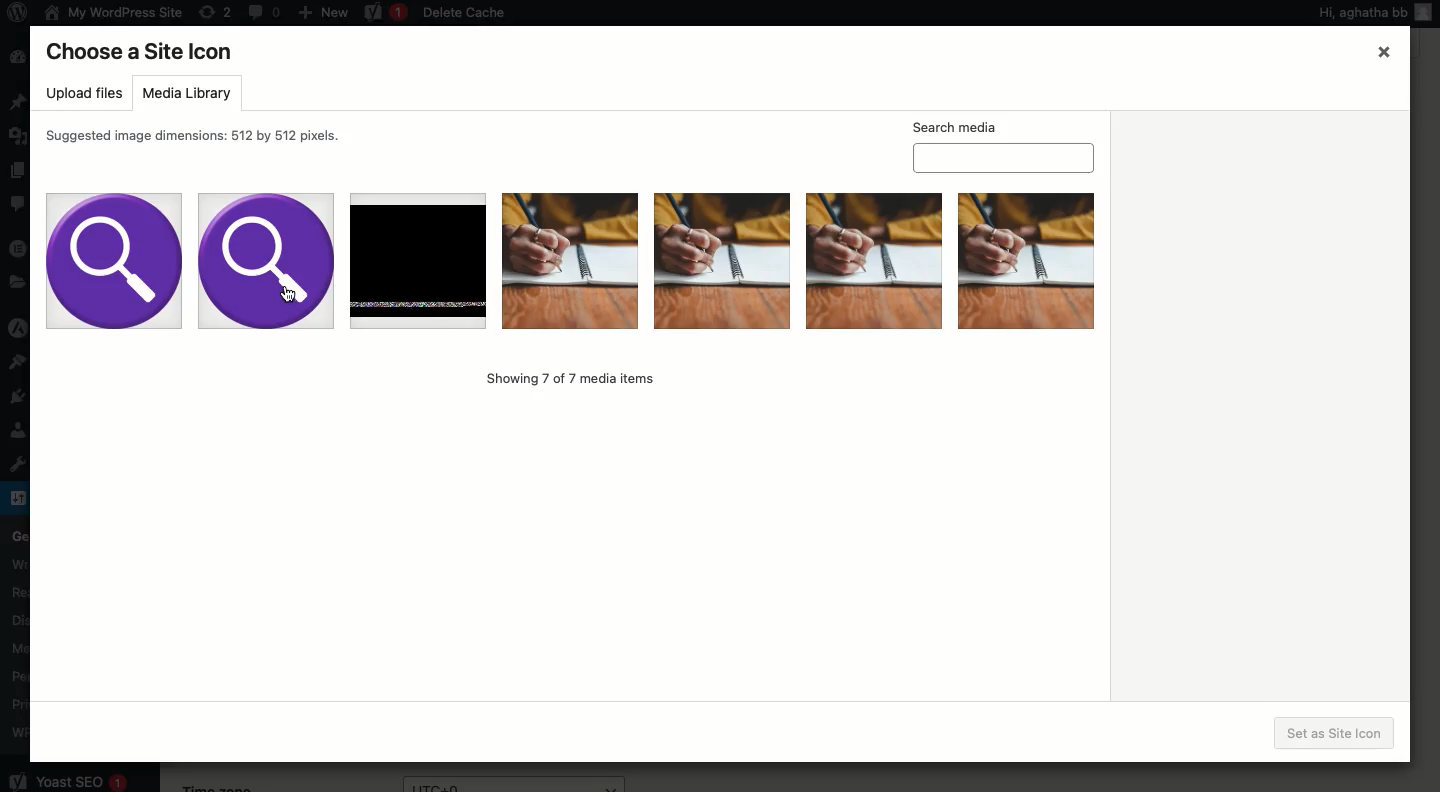  What do you see at coordinates (16, 618) in the screenshot?
I see `Discussion` at bounding box center [16, 618].